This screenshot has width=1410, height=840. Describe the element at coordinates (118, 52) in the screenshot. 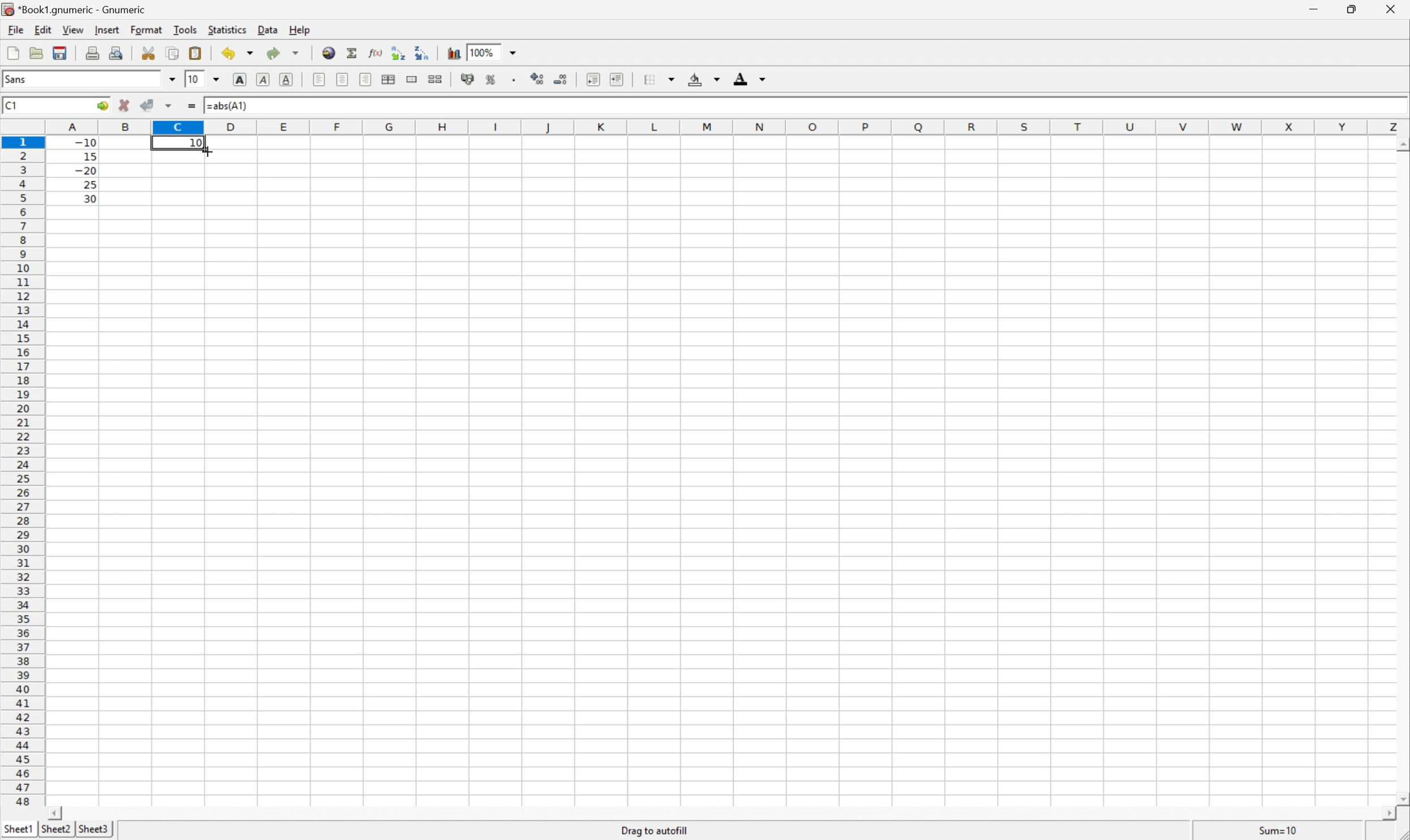

I see `Print preview` at that location.